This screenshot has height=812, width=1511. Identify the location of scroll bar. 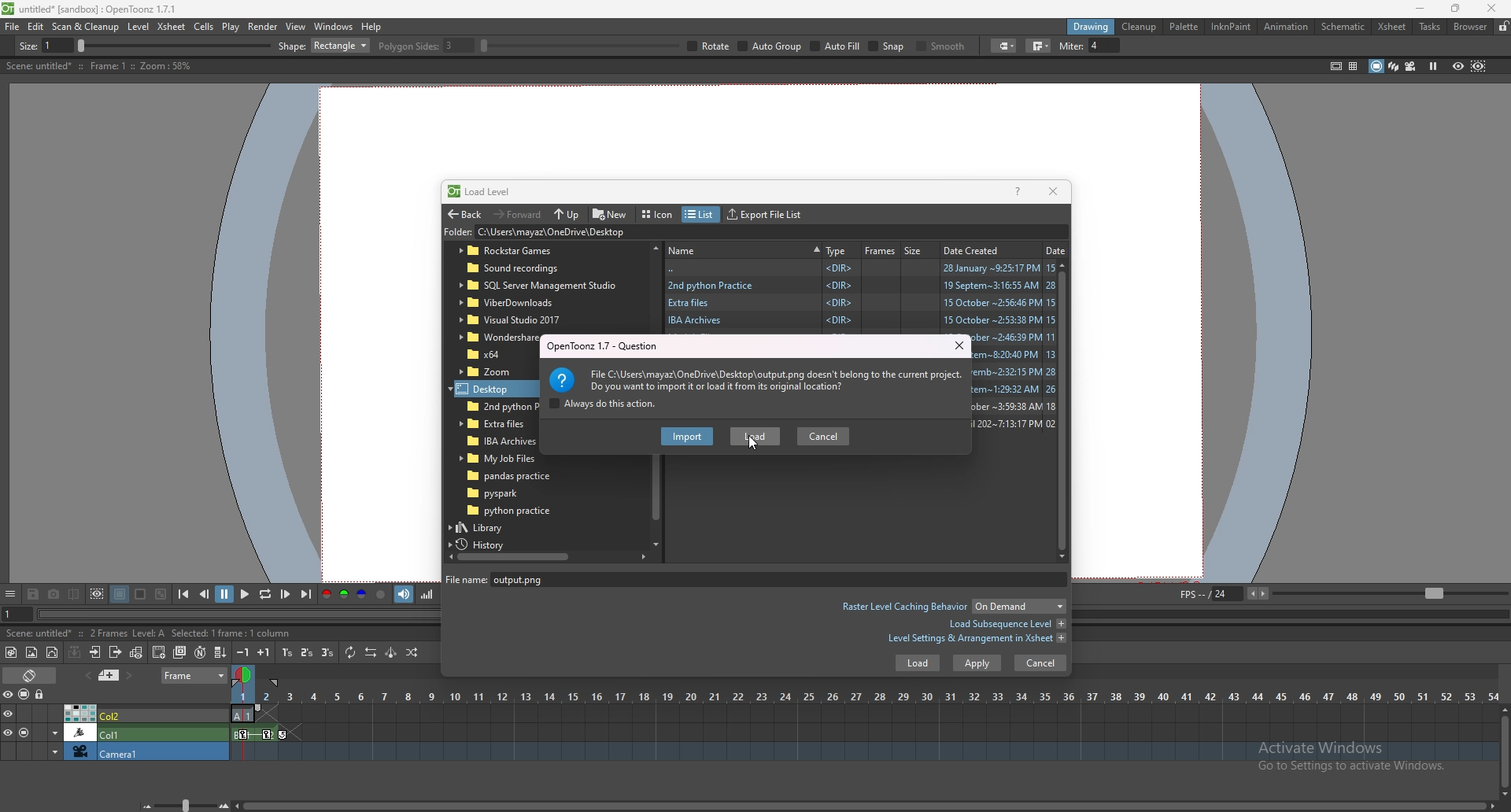
(1505, 751).